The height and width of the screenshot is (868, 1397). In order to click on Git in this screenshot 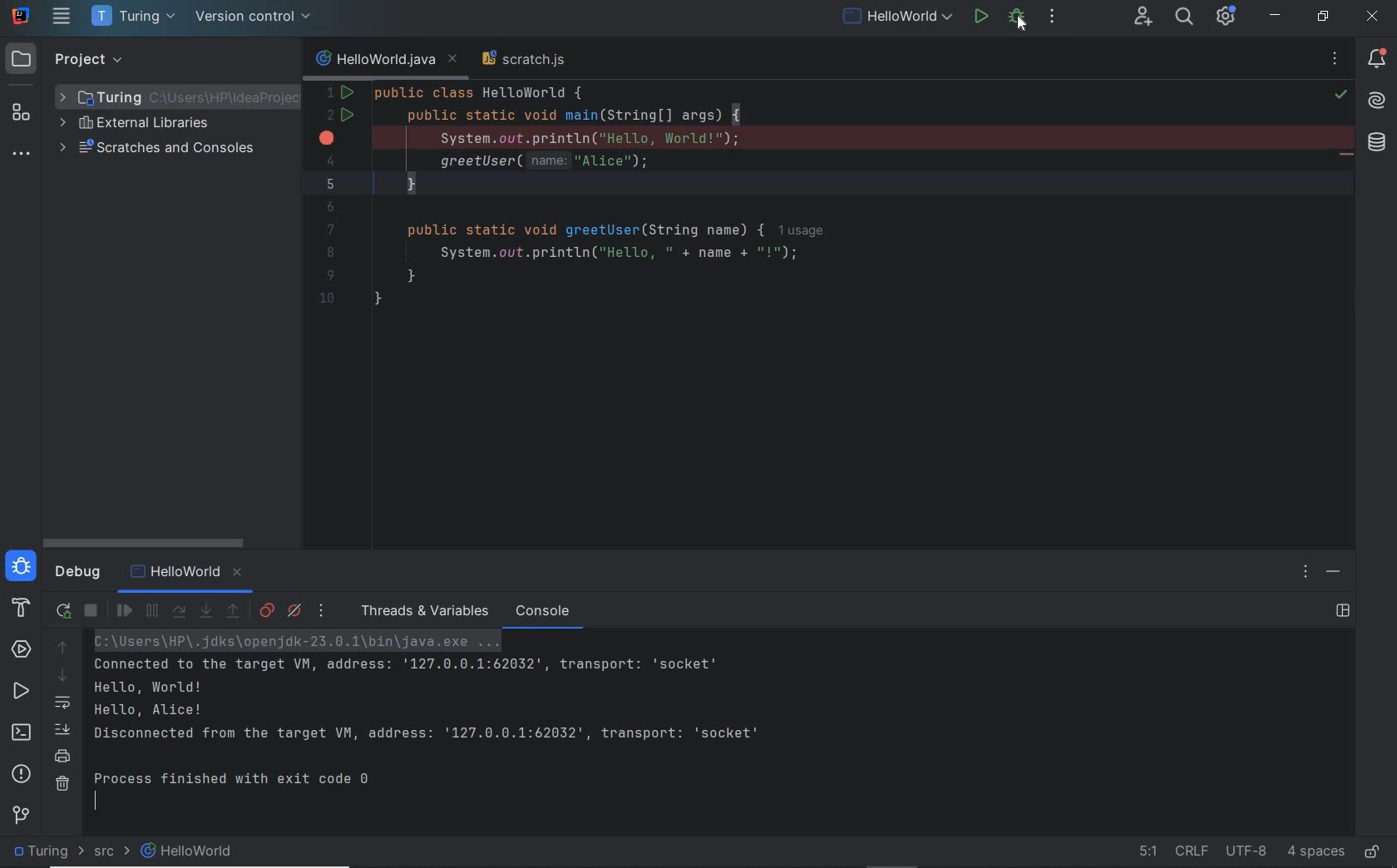, I will do `click(21, 814)`.